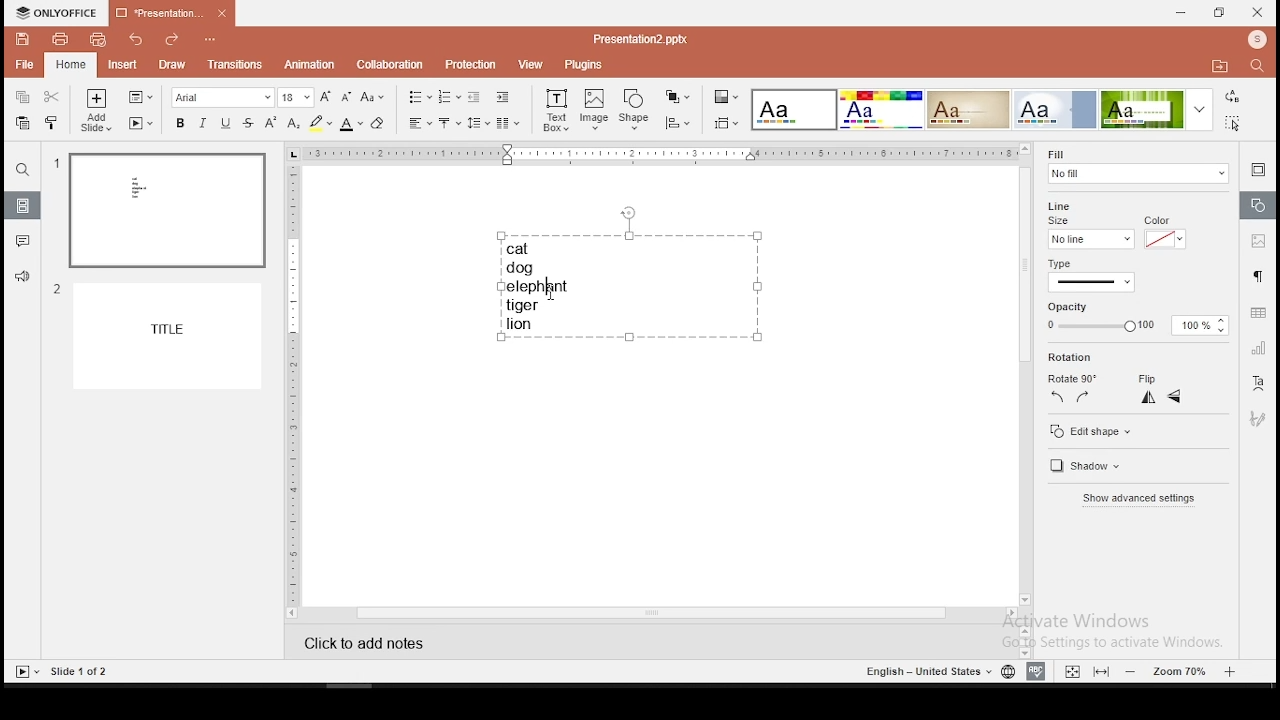  Describe the element at coordinates (504, 98) in the screenshot. I see `increase indent` at that location.